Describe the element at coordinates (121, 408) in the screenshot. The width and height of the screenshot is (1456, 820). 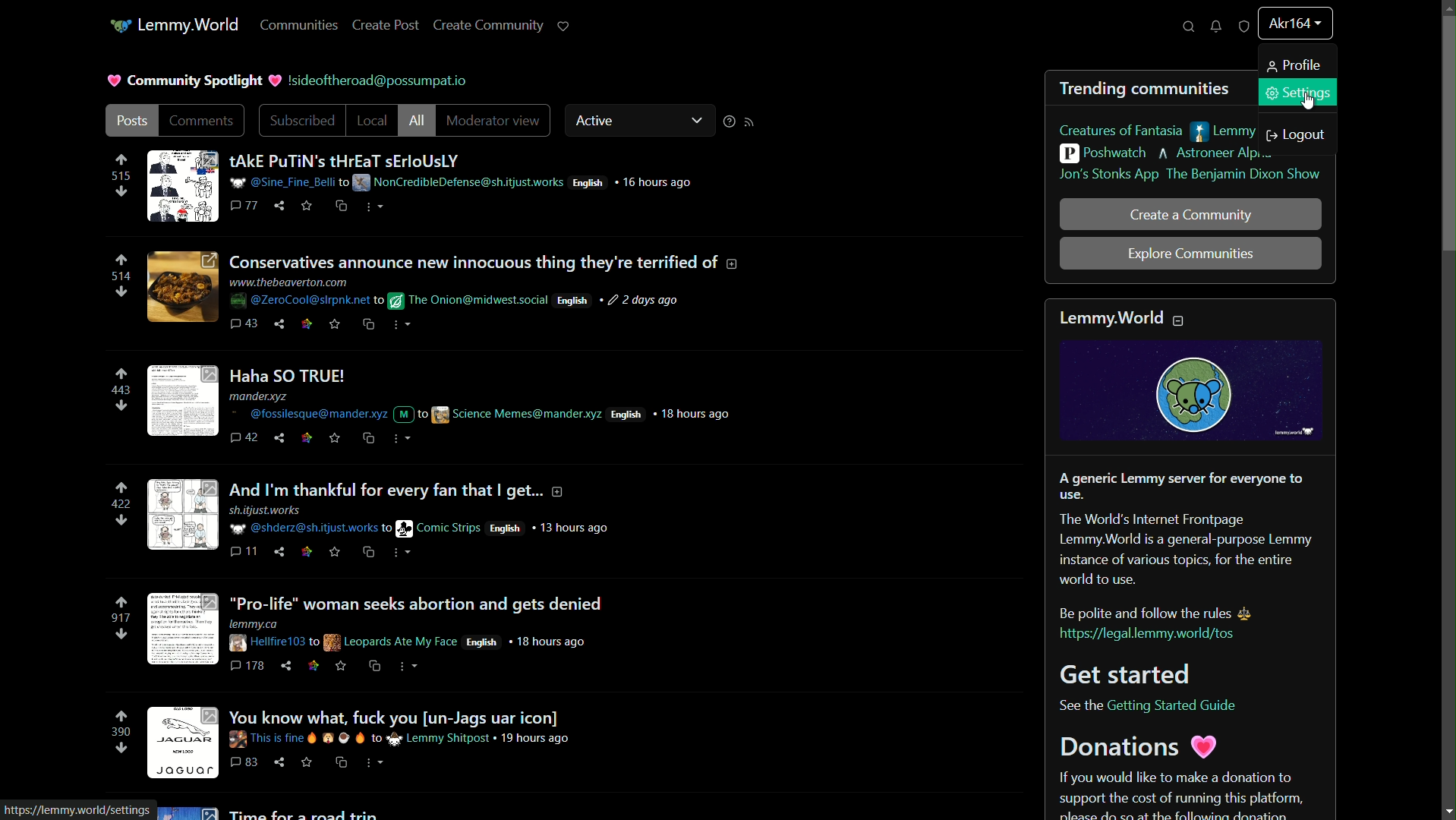
I see `downvote` at that location.